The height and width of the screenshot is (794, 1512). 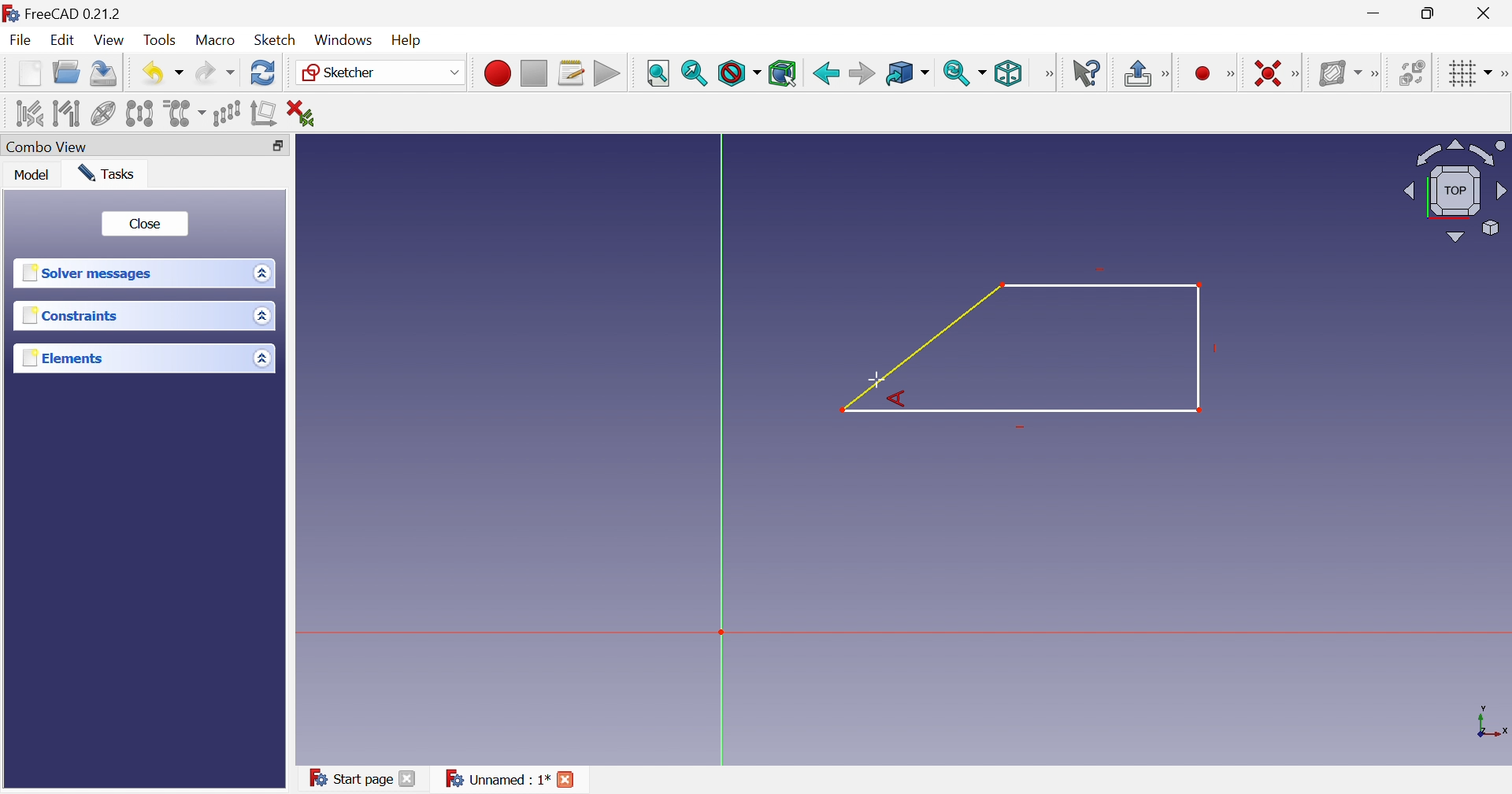 What do you see at coordinates (1374, 71) in the screenshot?
I see `More` at bounding box center [1374, 71].